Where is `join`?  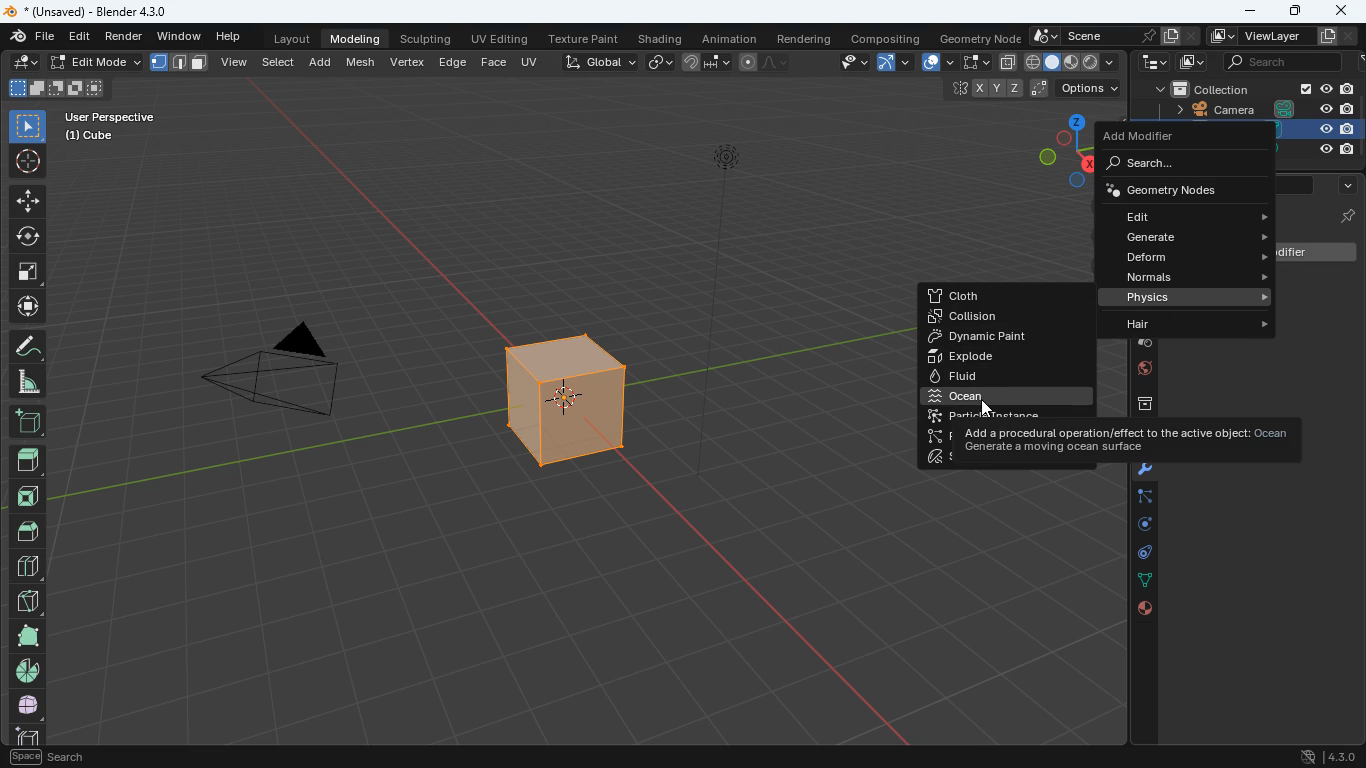
join is located at coordinates (708, 65).